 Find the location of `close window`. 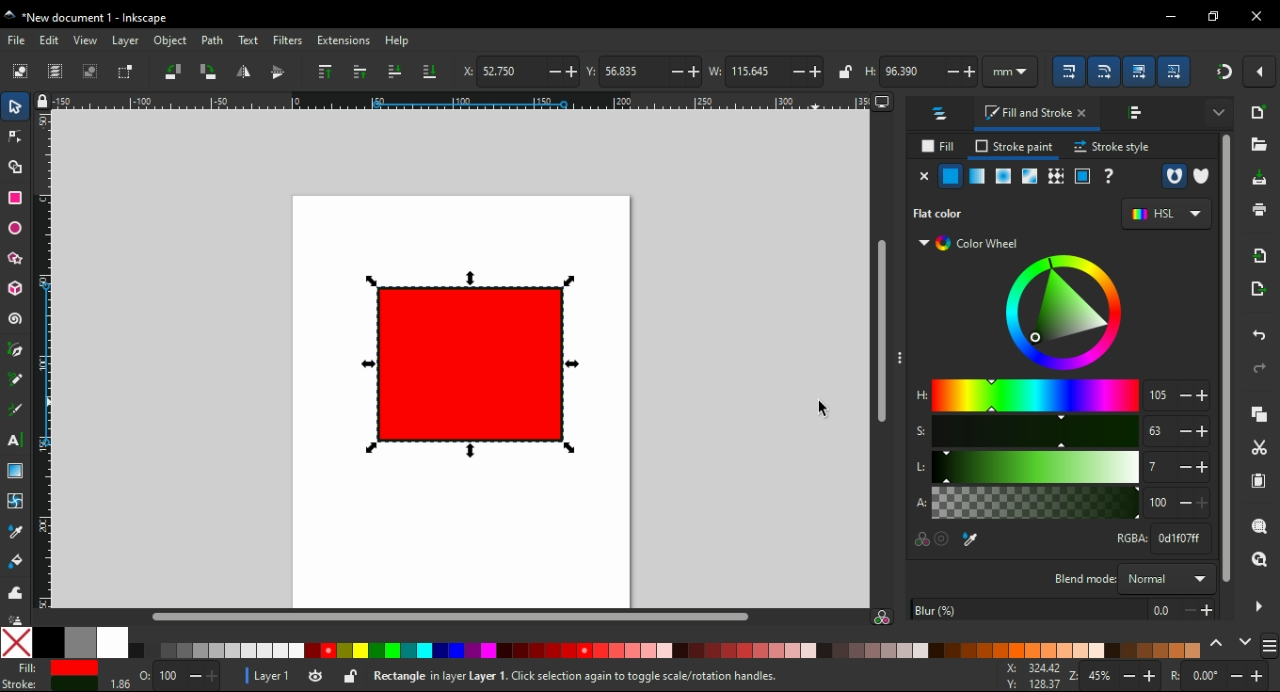

close window is located at coordinates (1257, 16).